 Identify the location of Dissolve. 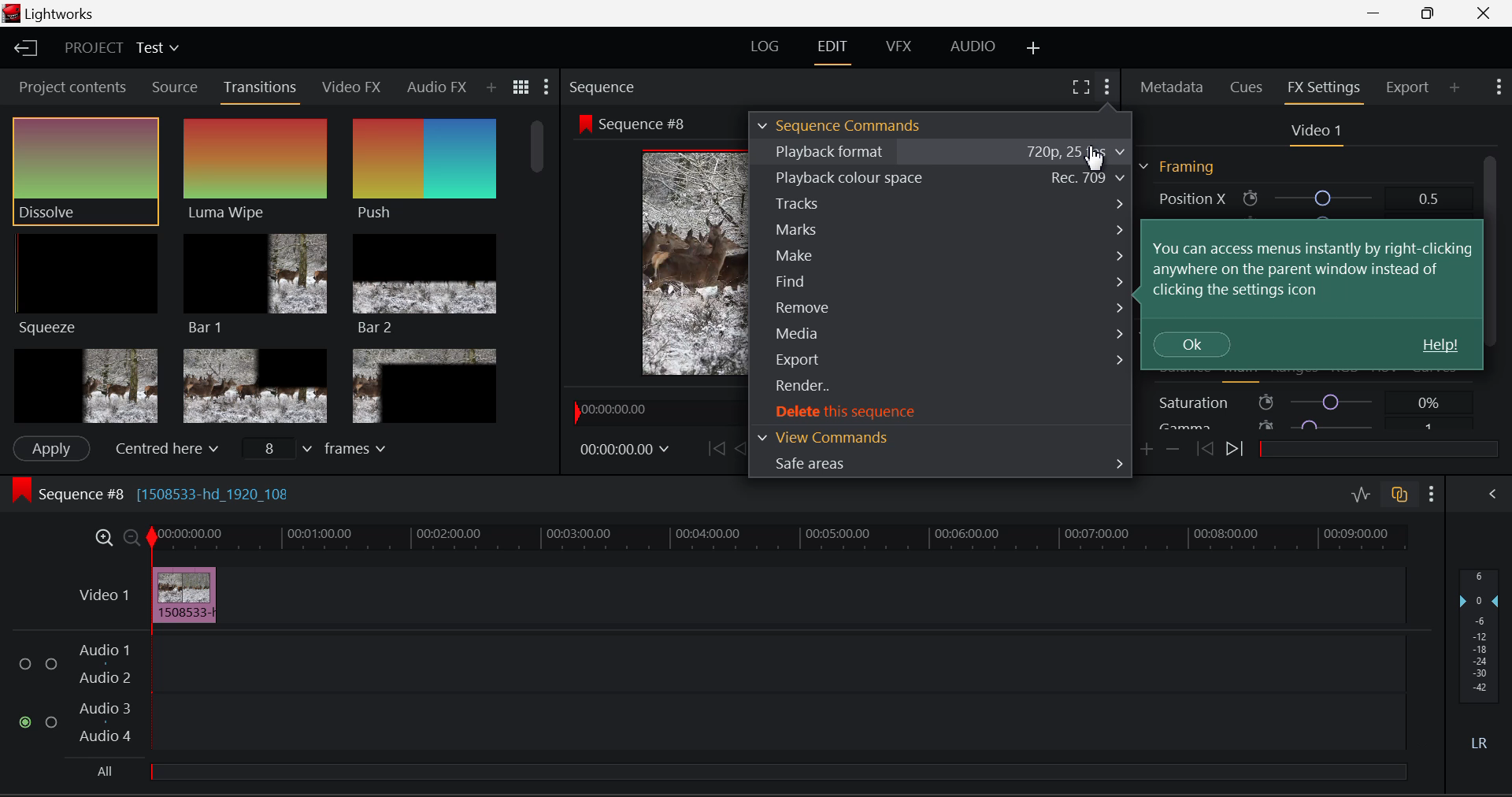
(85, 170).